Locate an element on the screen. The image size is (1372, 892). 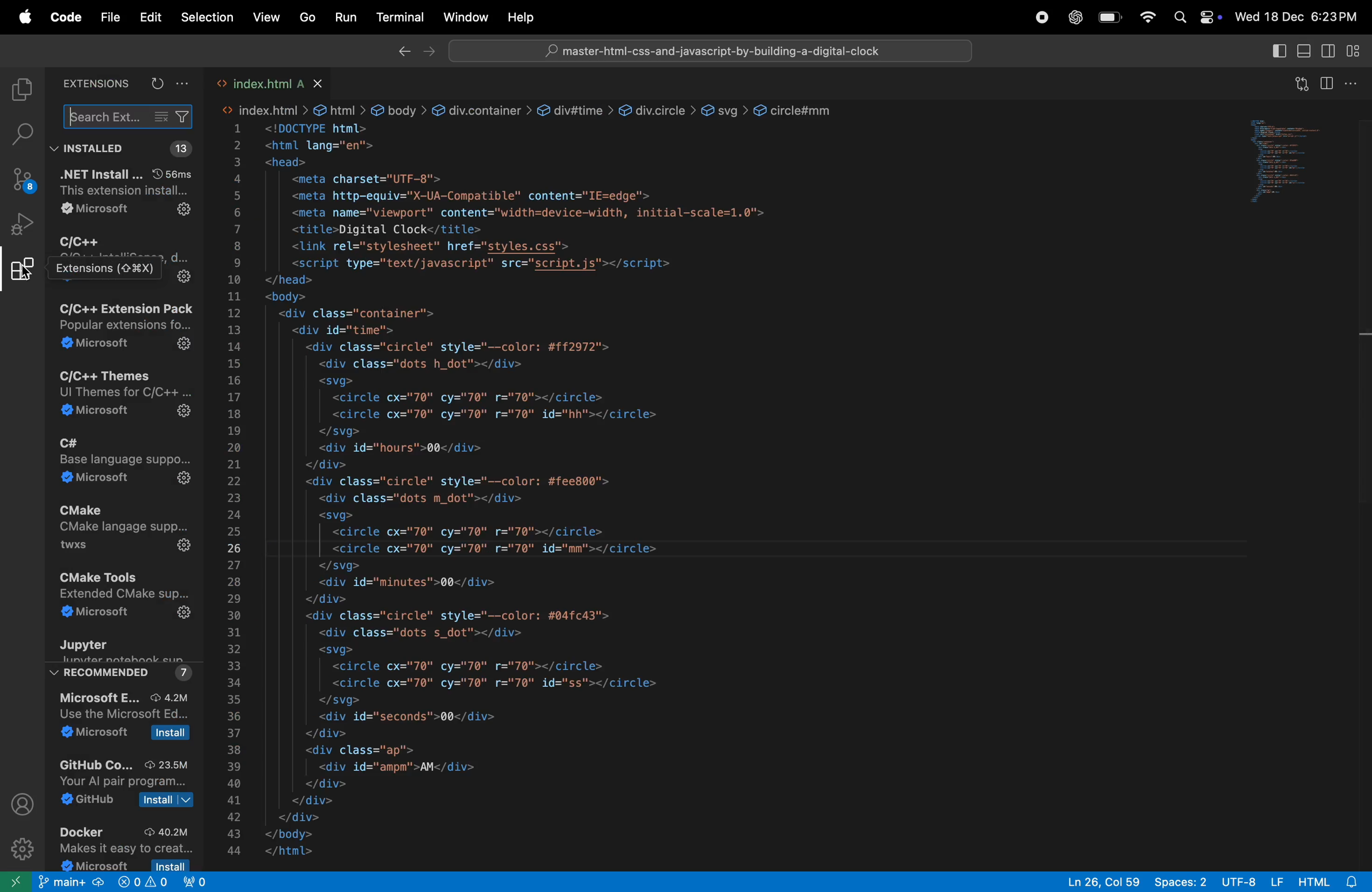
Github clone is located at coordinates (129, 783).